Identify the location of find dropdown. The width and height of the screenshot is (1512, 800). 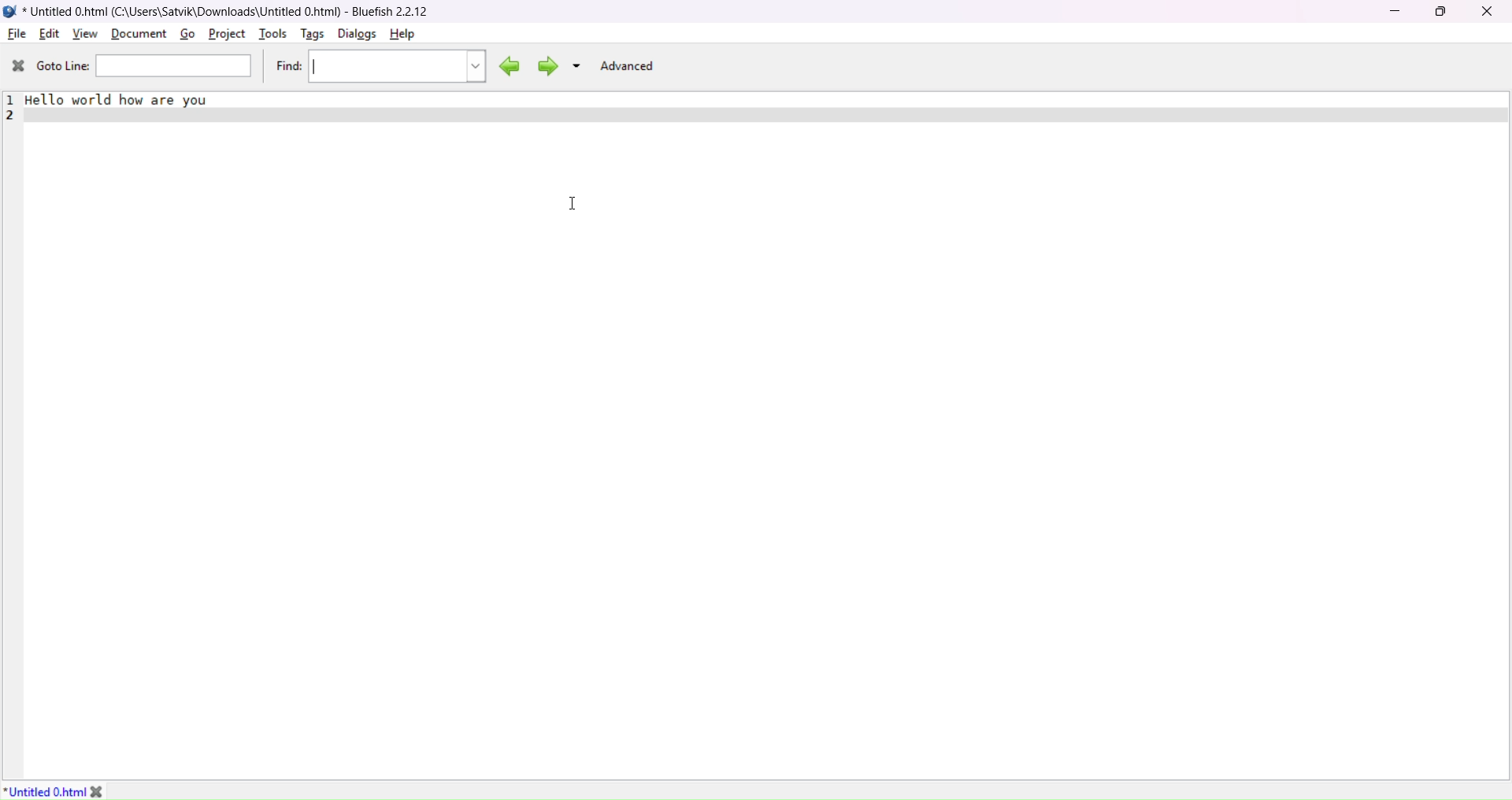
(476, 64).